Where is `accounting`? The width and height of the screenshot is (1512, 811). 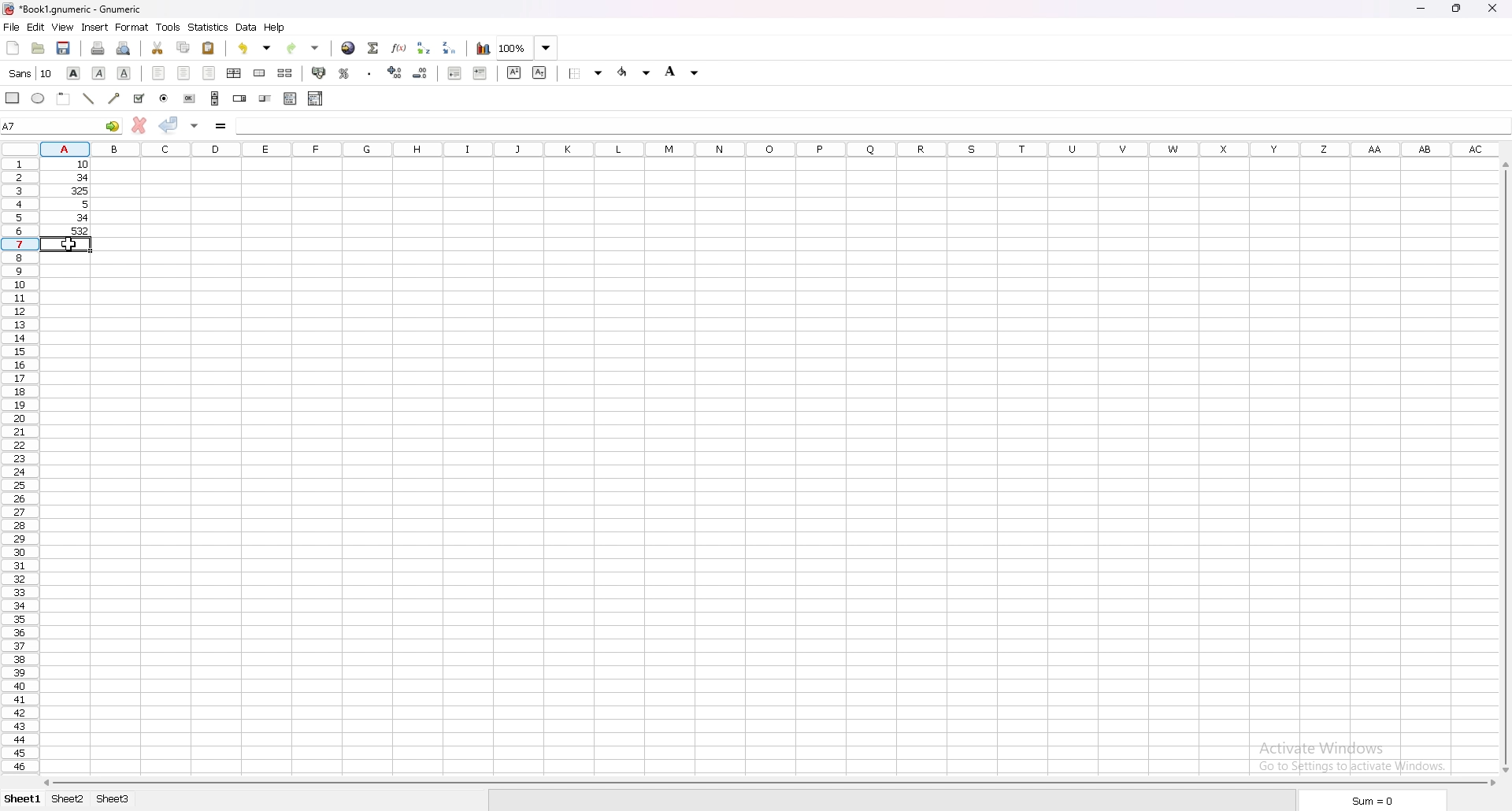
accounting is located at coordinates (320, 74).